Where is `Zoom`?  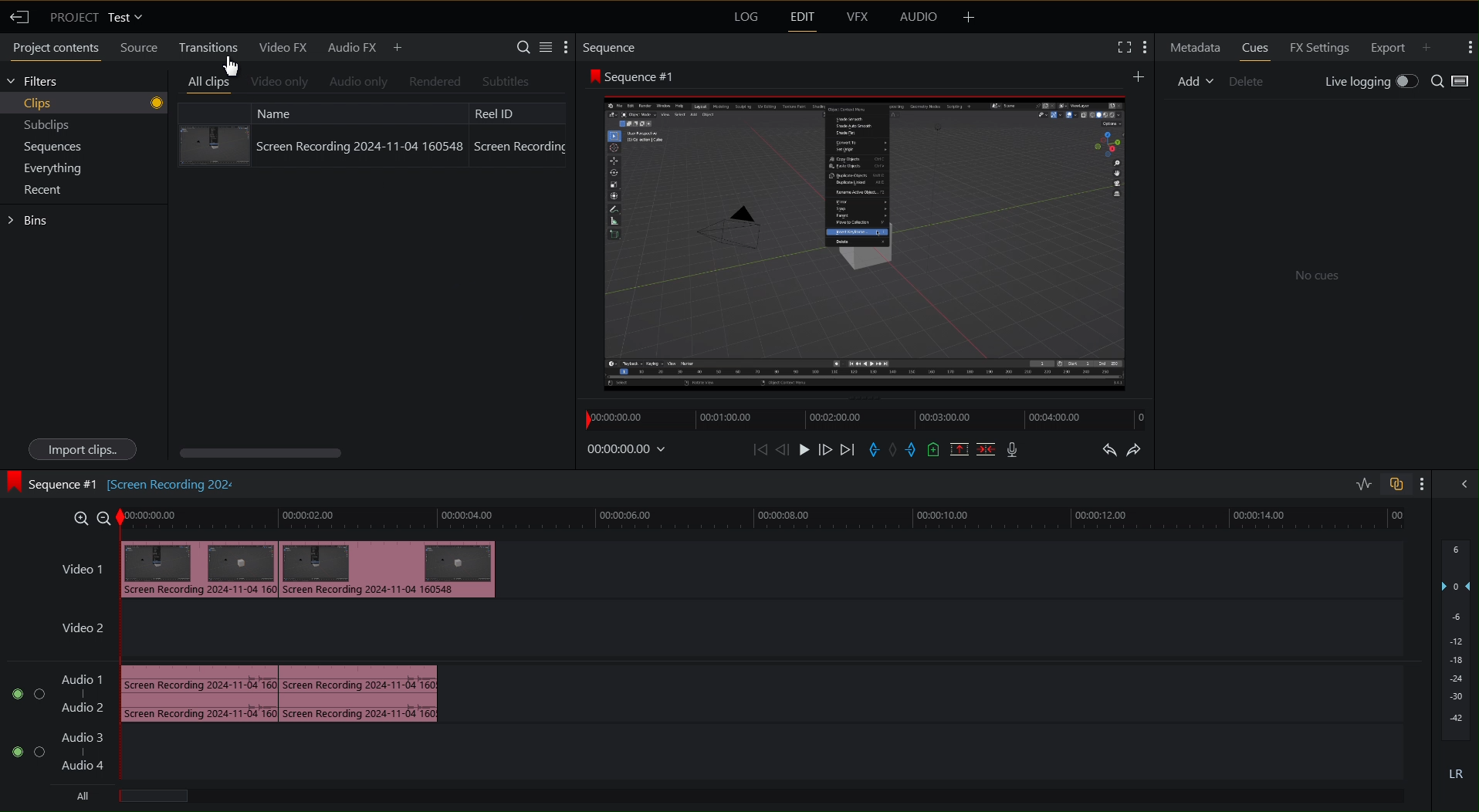
Zoom is located at coordinates (88, 517).